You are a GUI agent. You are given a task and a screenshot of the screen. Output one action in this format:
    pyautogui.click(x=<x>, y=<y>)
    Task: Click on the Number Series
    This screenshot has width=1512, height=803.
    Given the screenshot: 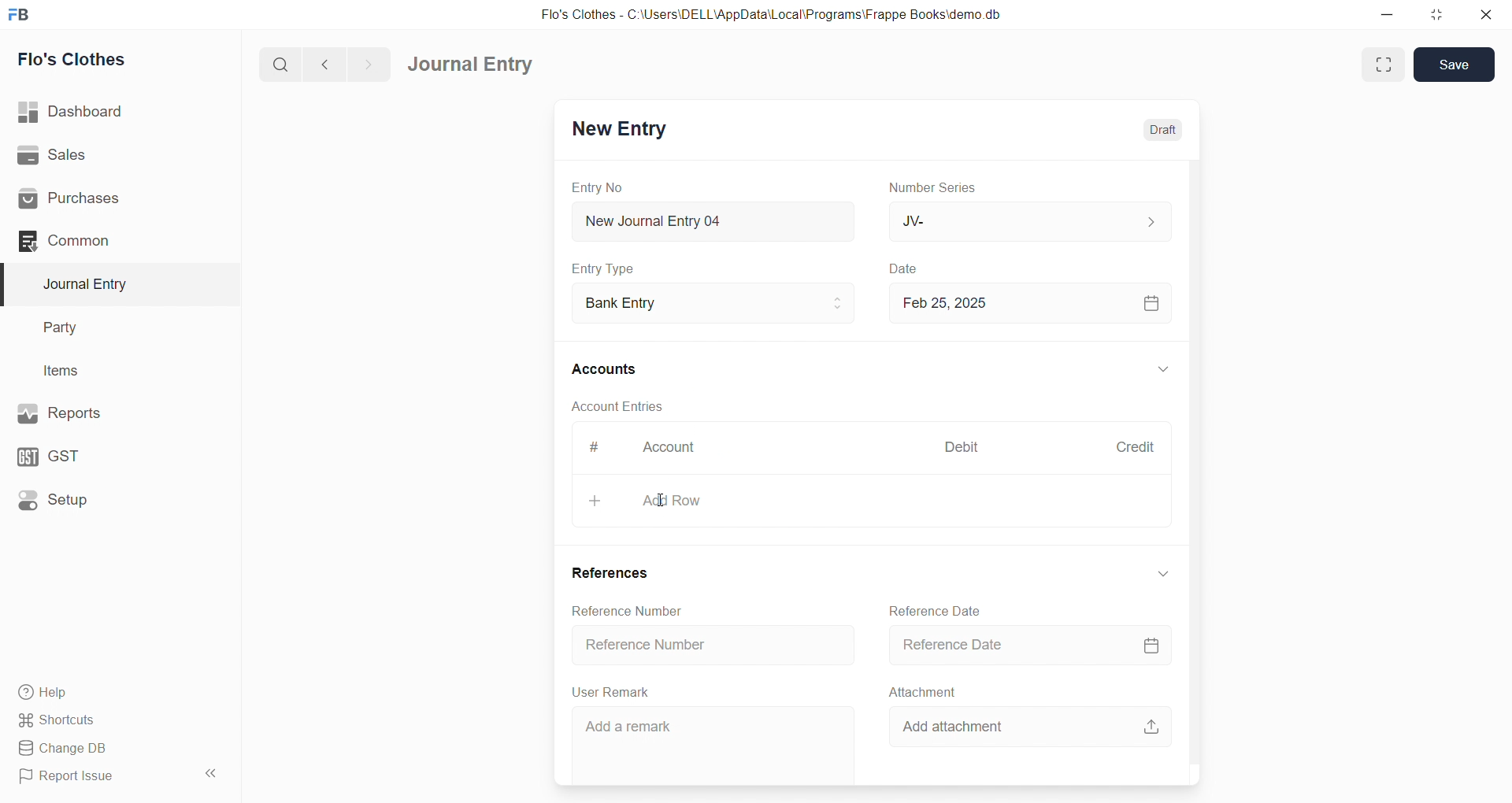 What is the action you would take?
    pyautogui.click(x=936, y=187)
    